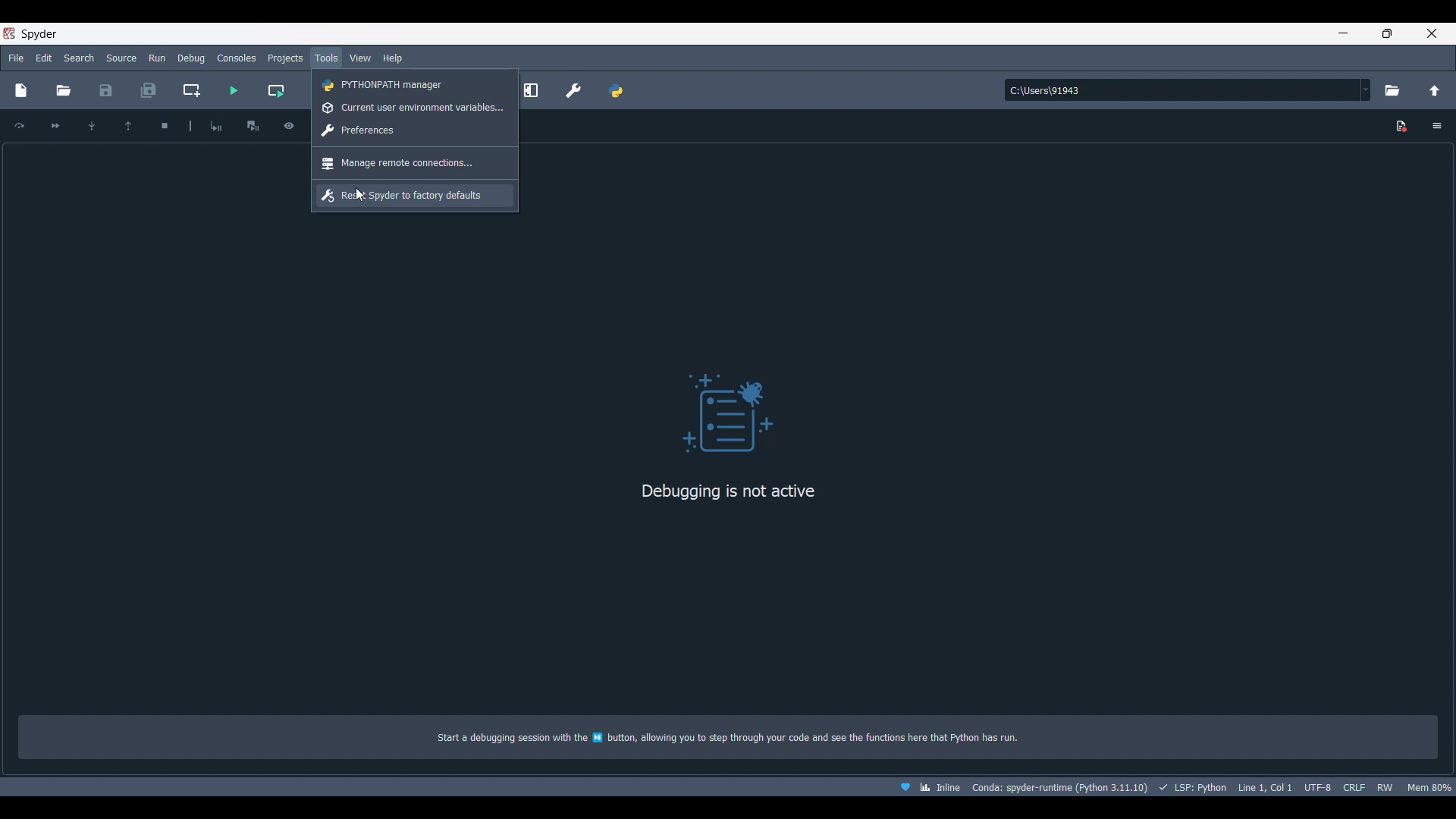 The width and height of the screenshot is (1456, 819). Describe the element at coordinates (1353, 787) in the screenshot. I see `crlf` at that location.